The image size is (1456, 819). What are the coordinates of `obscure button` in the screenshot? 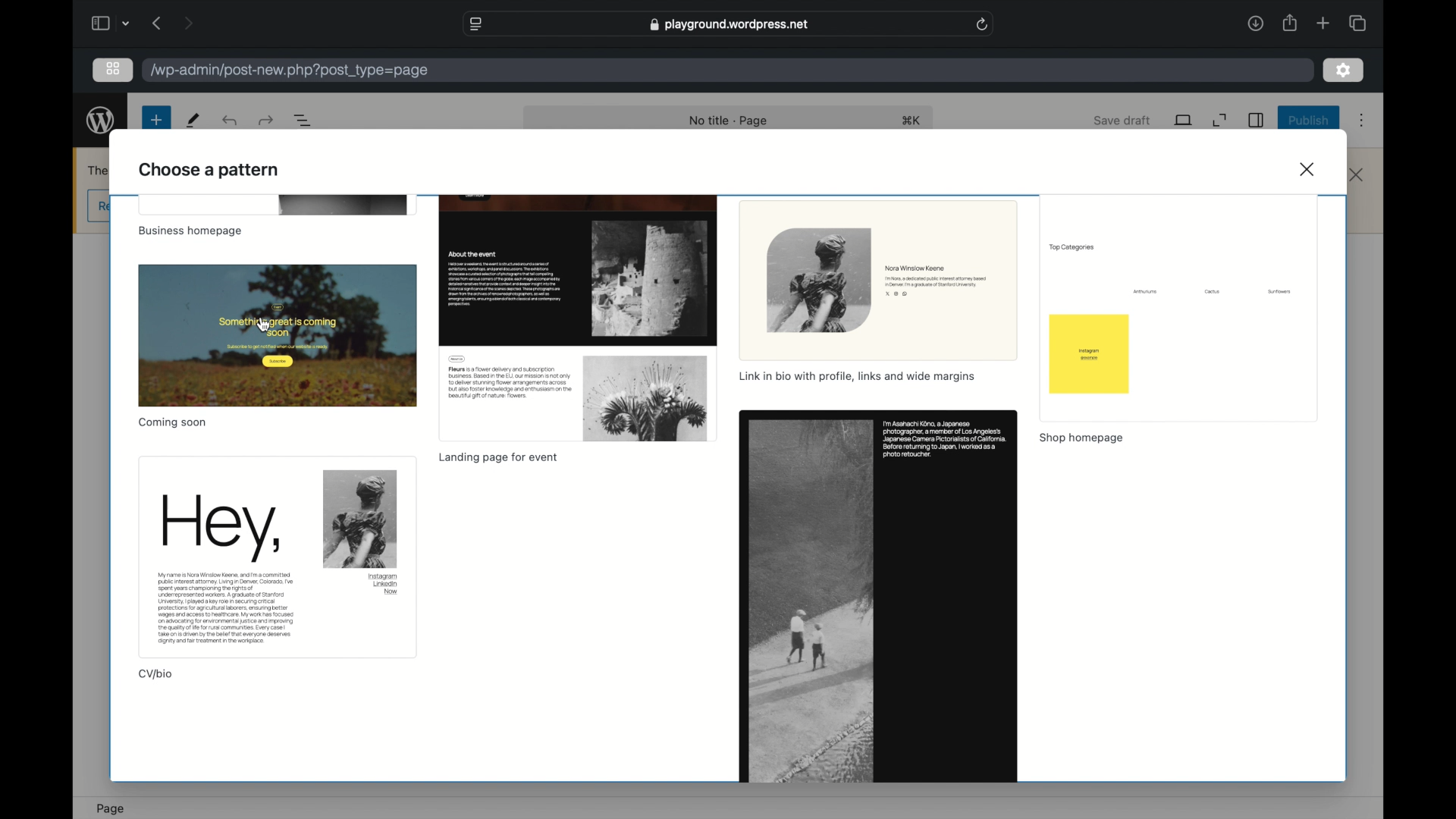 It's located at (96, 206).